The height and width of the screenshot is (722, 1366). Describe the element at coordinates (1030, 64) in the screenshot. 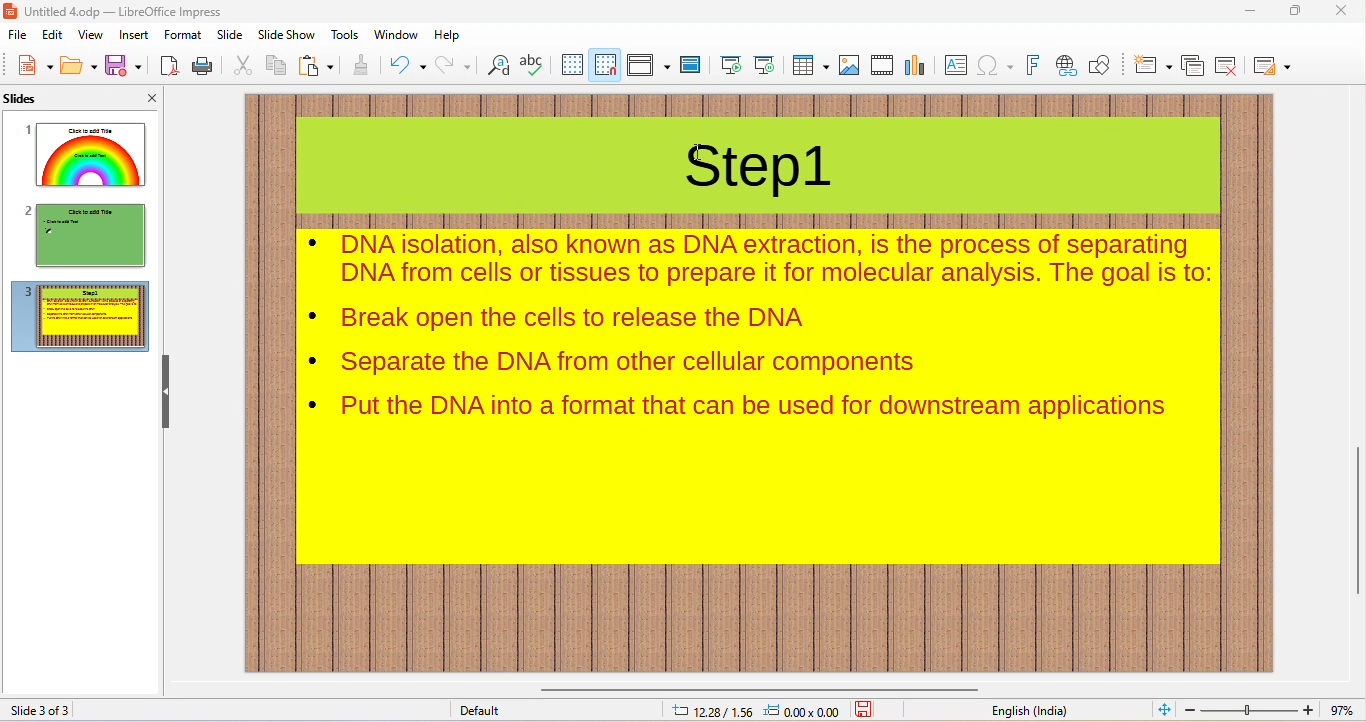

I see `fontwork text` at that location.